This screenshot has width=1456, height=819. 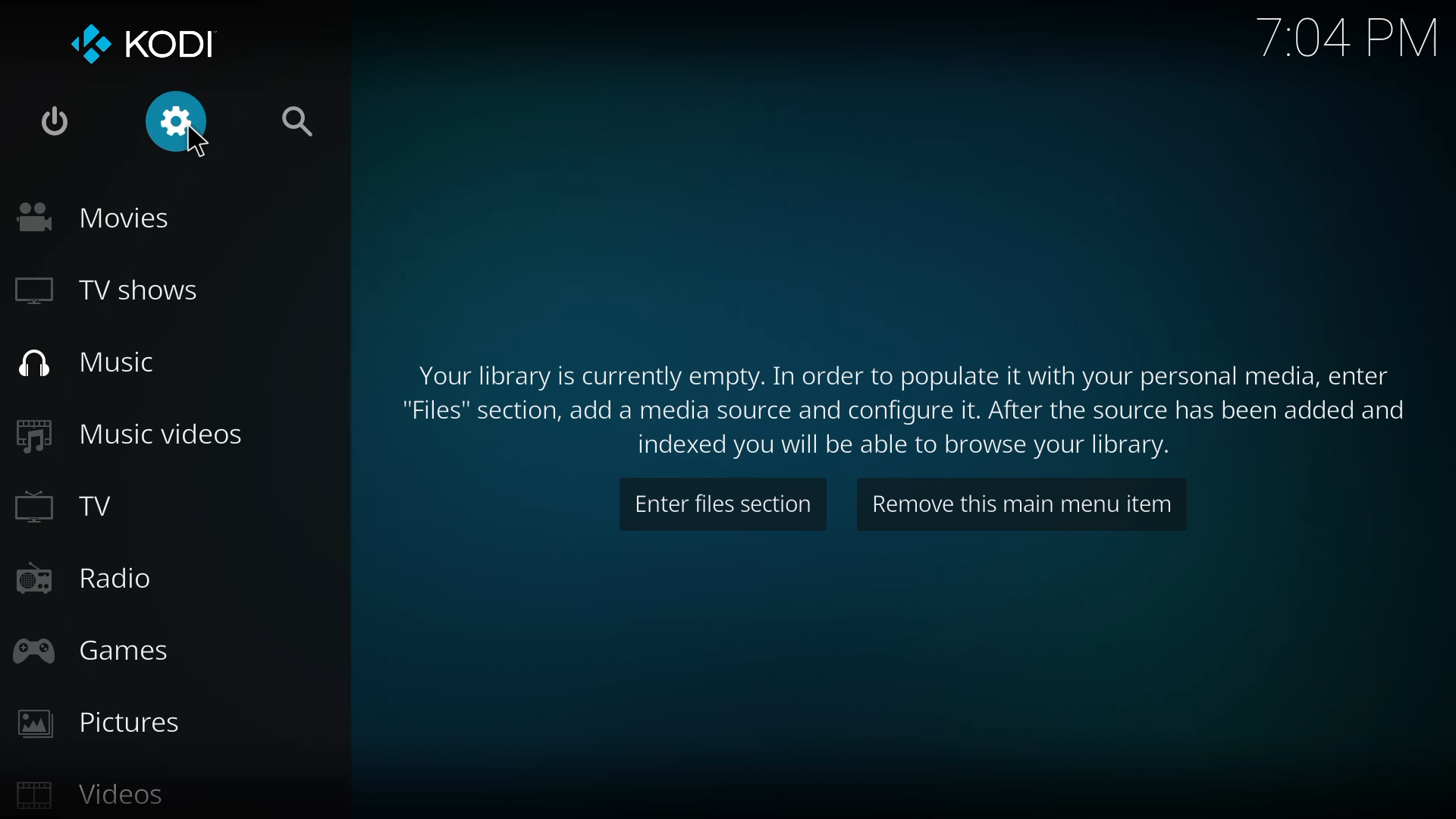 What do you see at coordinates (1025, 505) in the screenshot?
I see `remove this main menu item` at bounding box center [1025, 505].